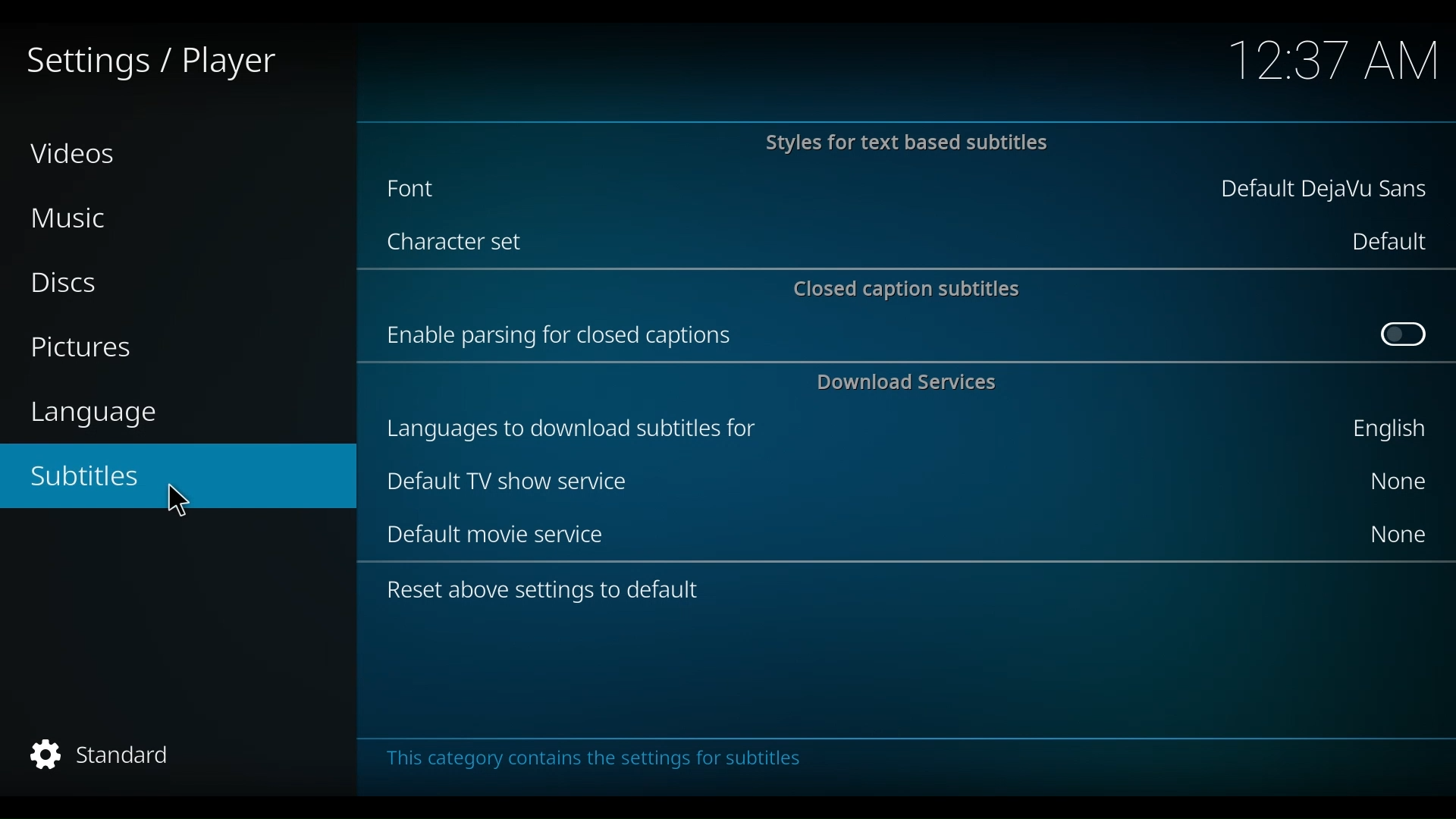 The height and width of the screenshot is (819, 1456). I want to click on Styles for text based subtitles, so click(905, 144).